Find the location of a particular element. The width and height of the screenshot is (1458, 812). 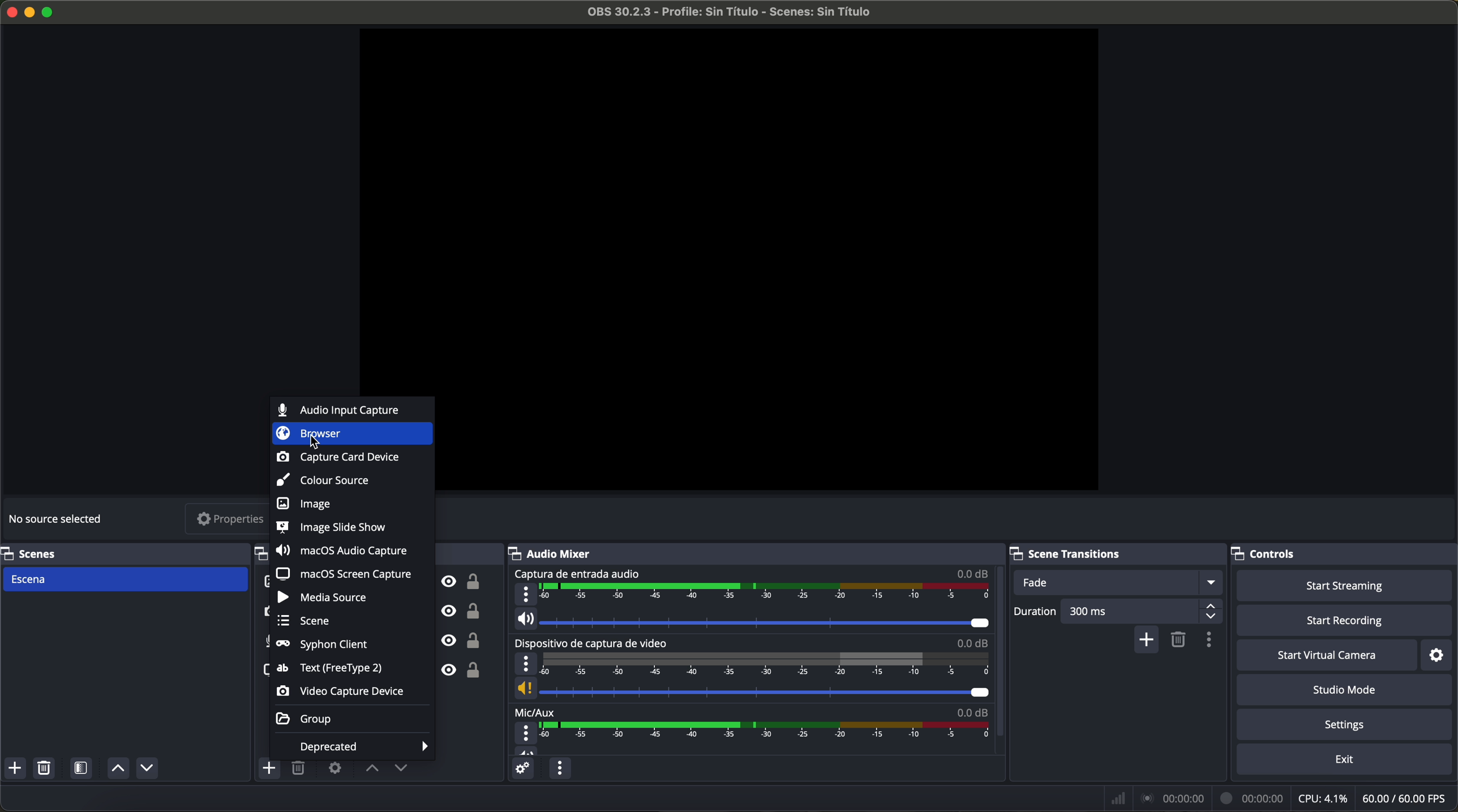

deprecated is located at coordinates (366, 747).